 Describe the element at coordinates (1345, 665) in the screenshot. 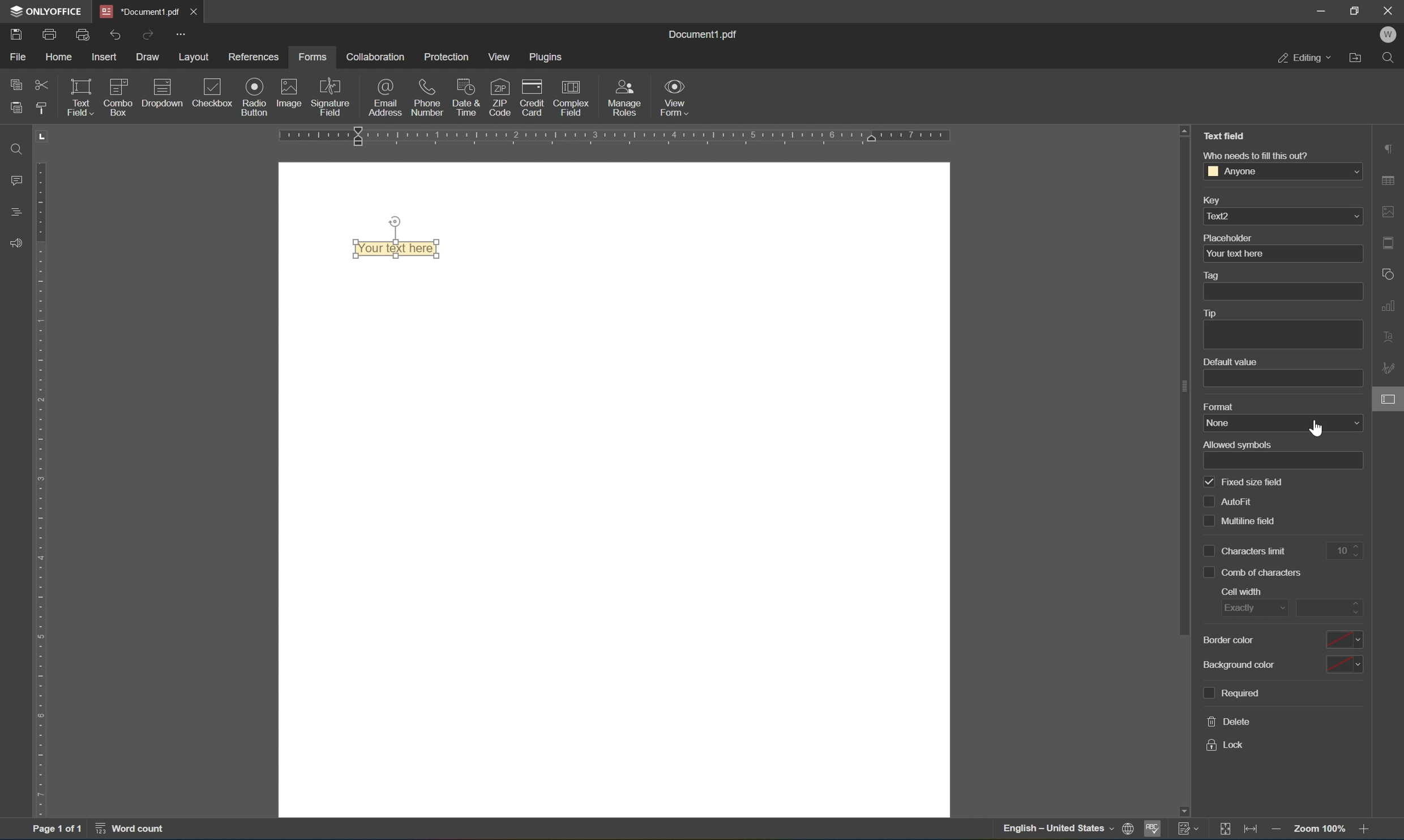

I see `color` at that location.